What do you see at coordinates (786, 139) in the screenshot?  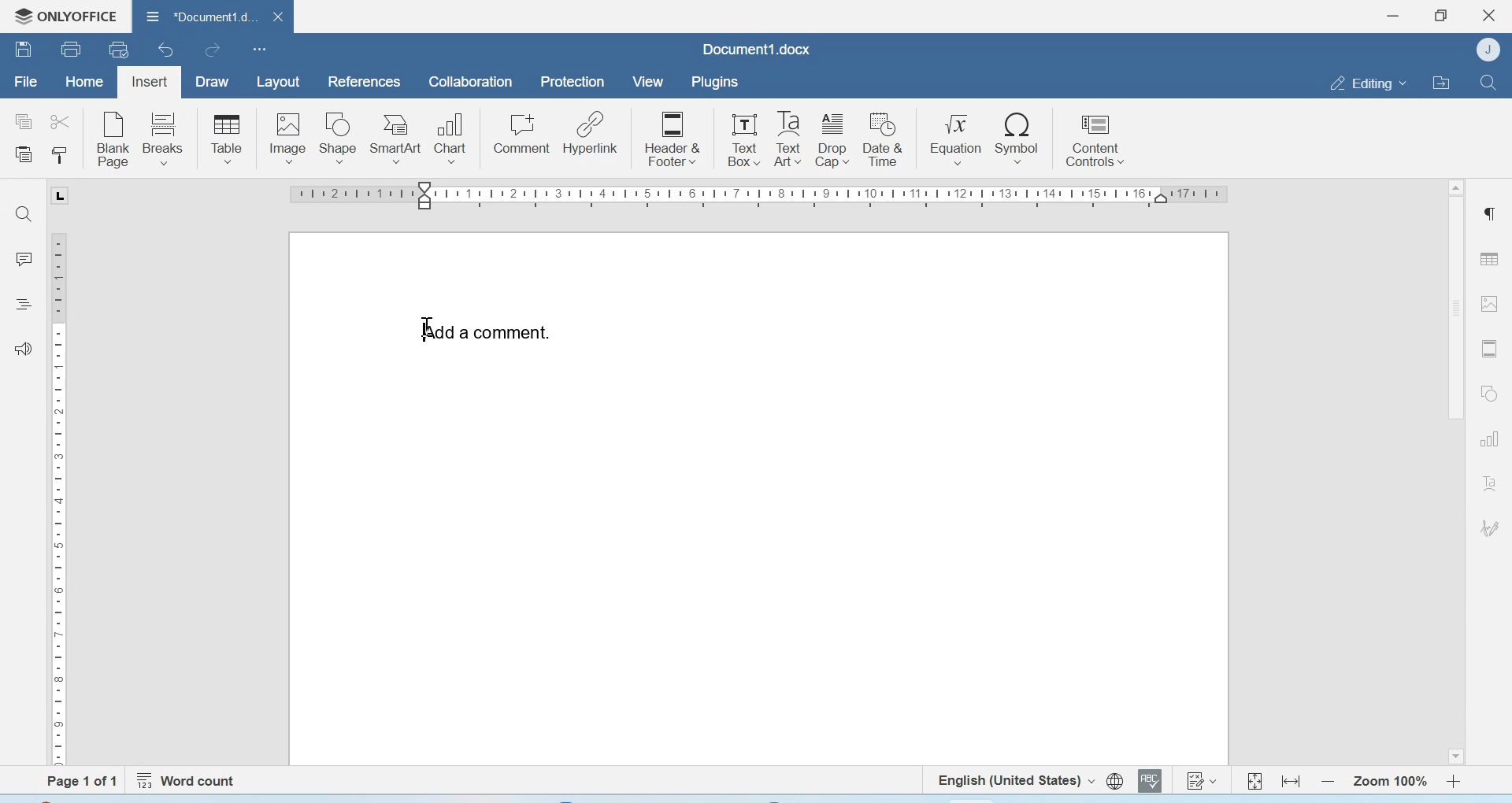 I see `Text Box` at bounding box center [786, 139].